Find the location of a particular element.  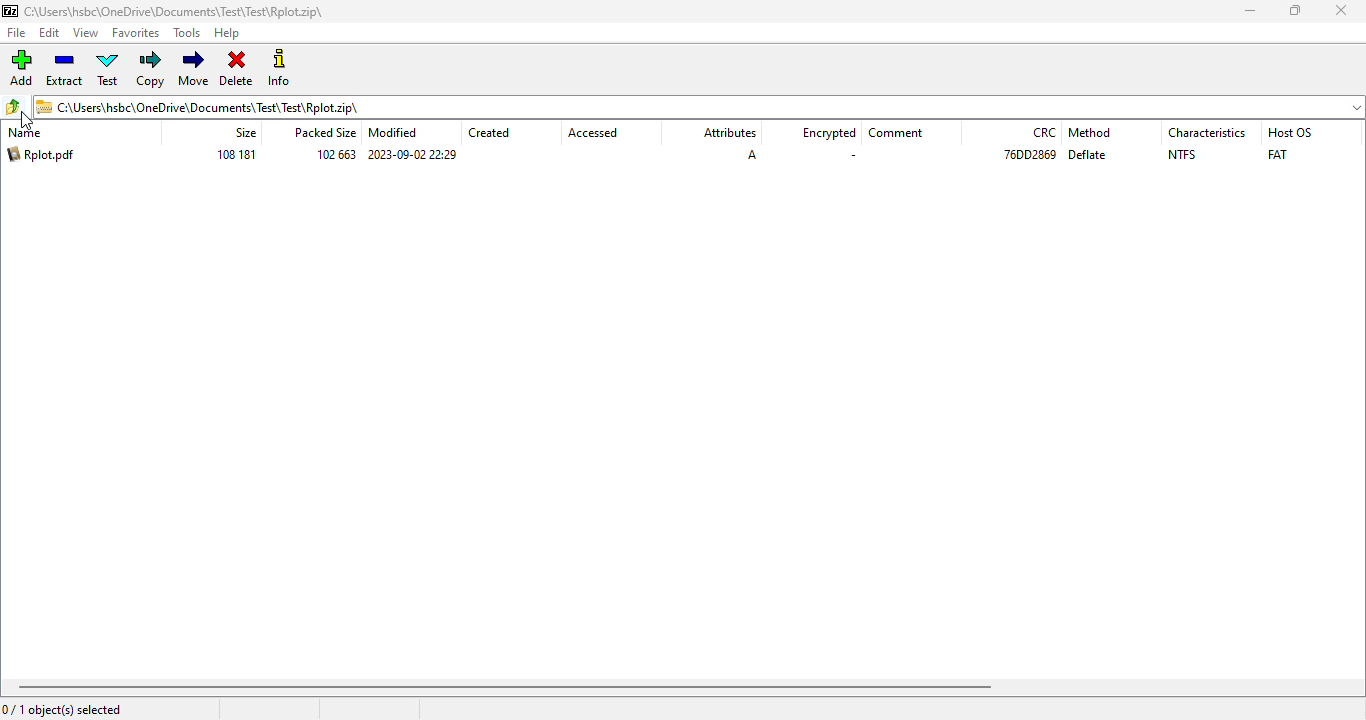

encrypted is located at coordinates (829, 133).